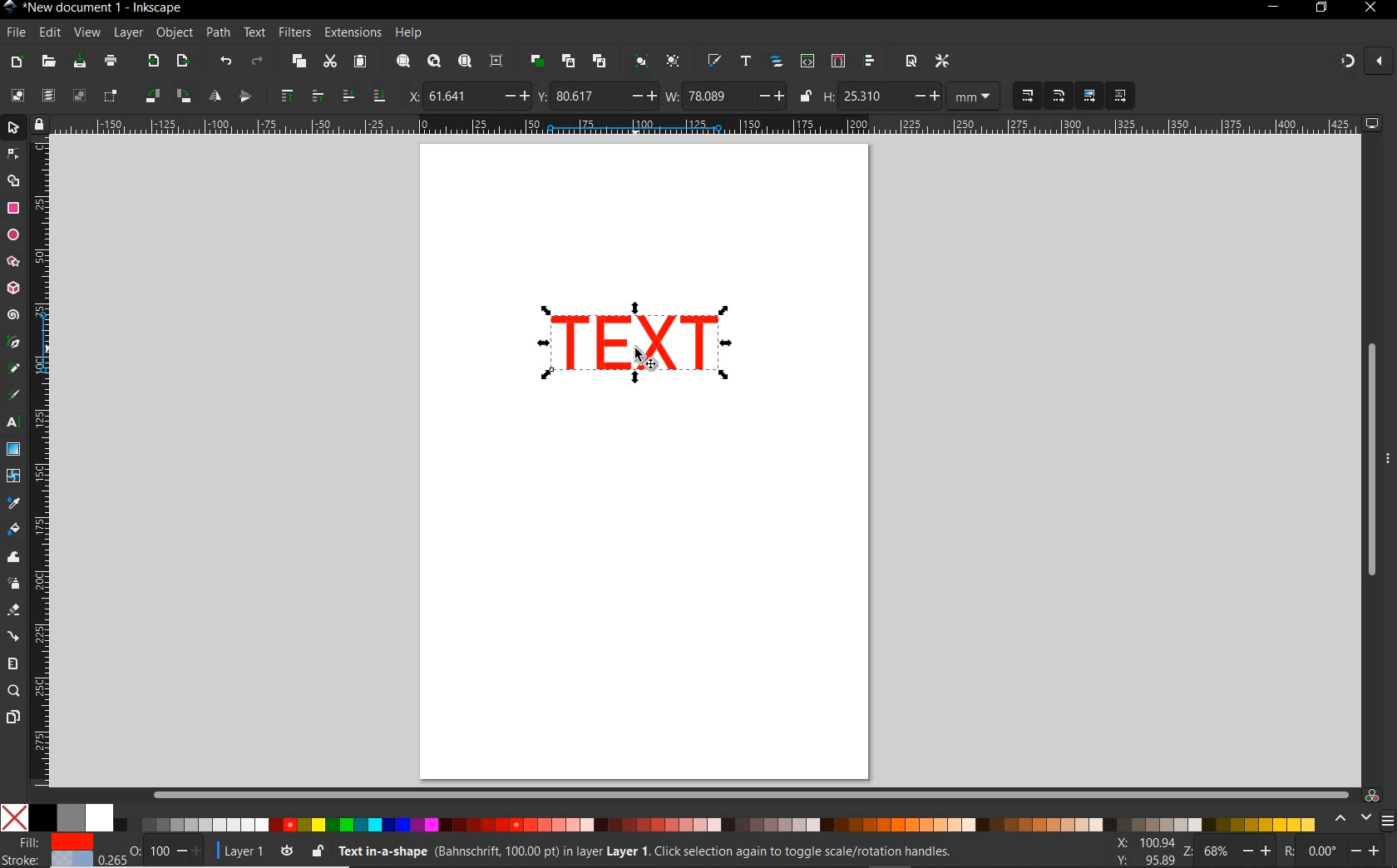 Image resolution: width=1397 pixels, height=868 pixels. What do you see at coordinates (299, 96) in the screenshot?
I see `raise selection` at bounding box center [299, 96].